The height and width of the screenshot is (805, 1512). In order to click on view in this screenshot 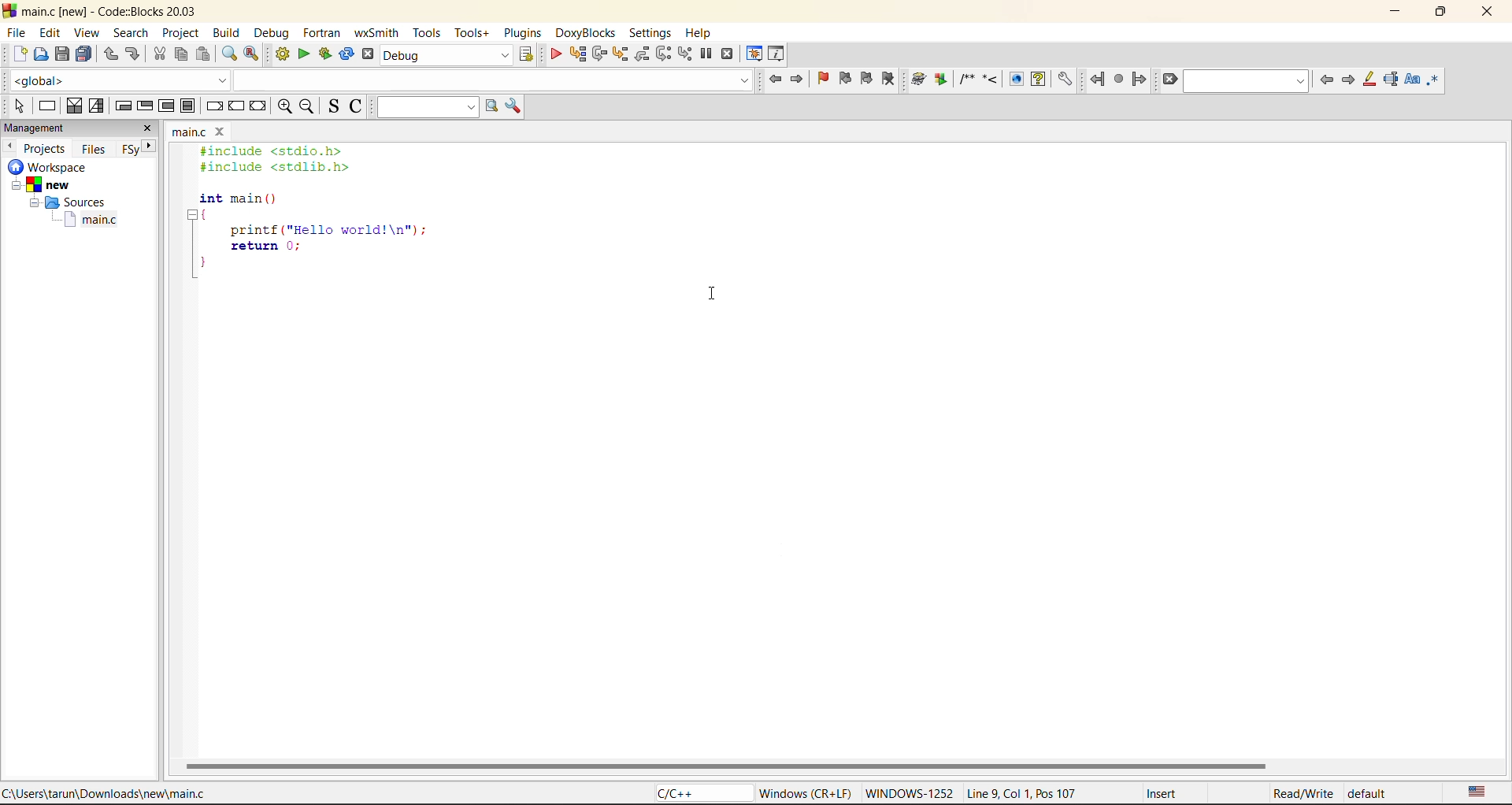, I will do `click(85, 33)`.